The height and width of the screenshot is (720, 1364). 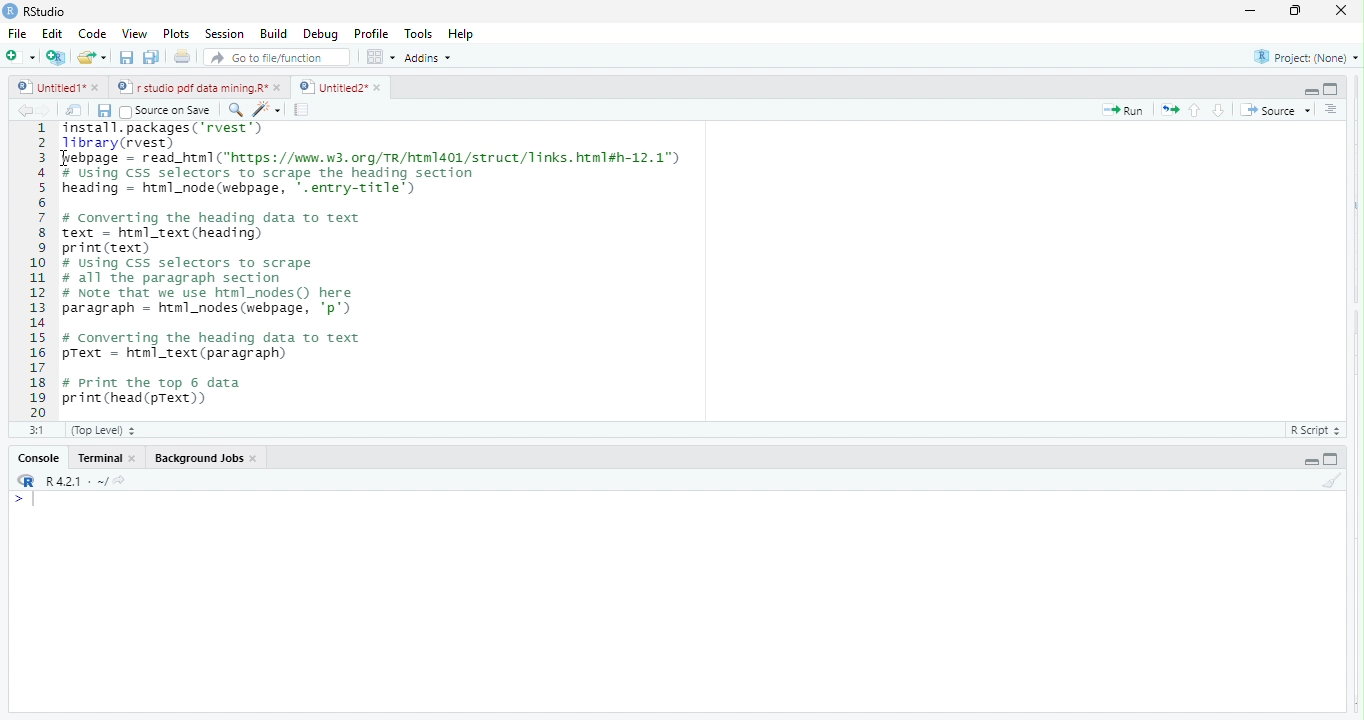 What do you see at coordinates (1196, 111) in the screenshot?
I see `go to previous section/chunk` at bounding box center [1196, 111].